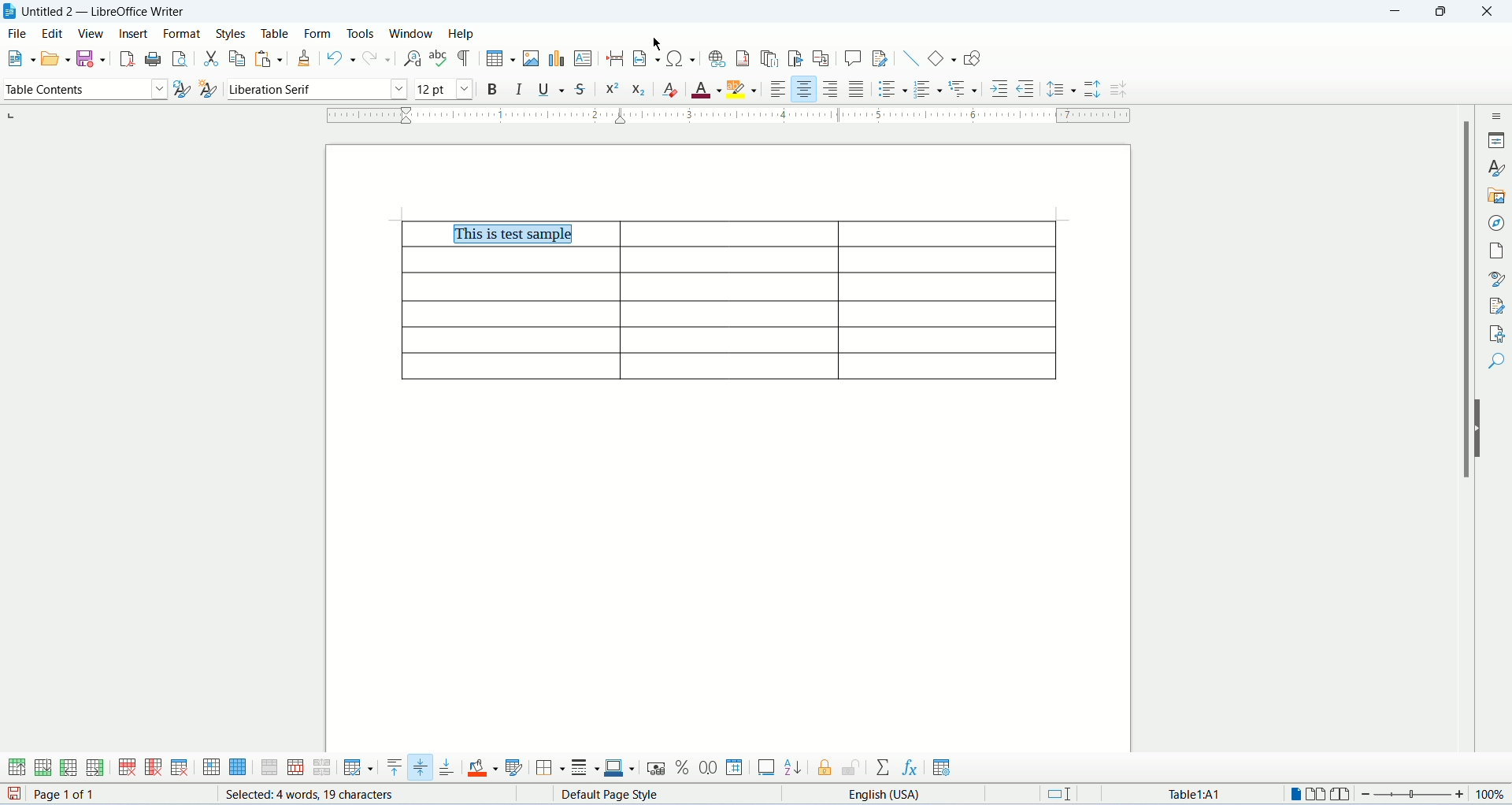 The height and width of the screenshot is (805, 1512). Describe the element at coordinates (42, 768) in the screenshot. I see `insert rows below` at that location.